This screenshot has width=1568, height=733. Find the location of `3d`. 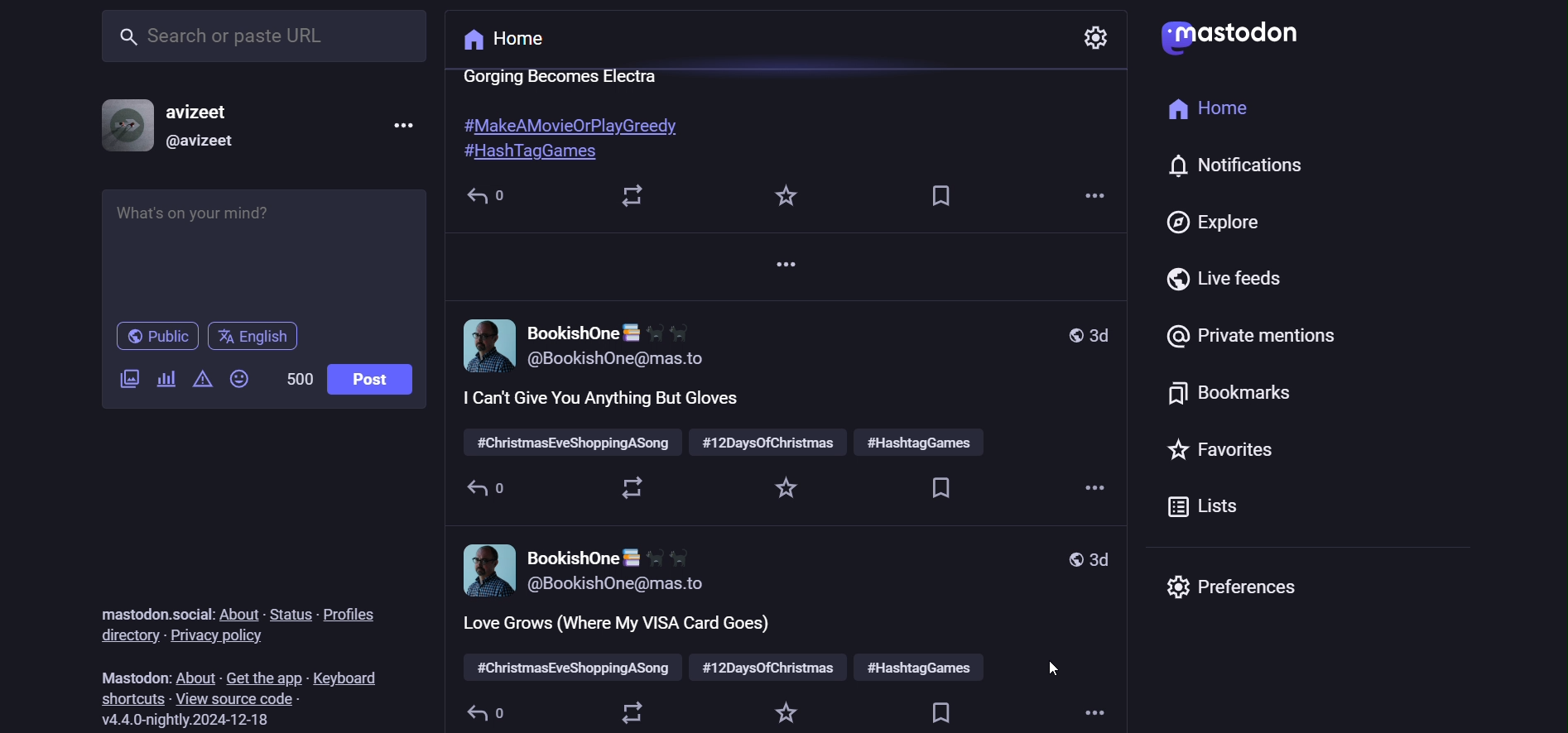

3d is located at coordinates (1085, 334).